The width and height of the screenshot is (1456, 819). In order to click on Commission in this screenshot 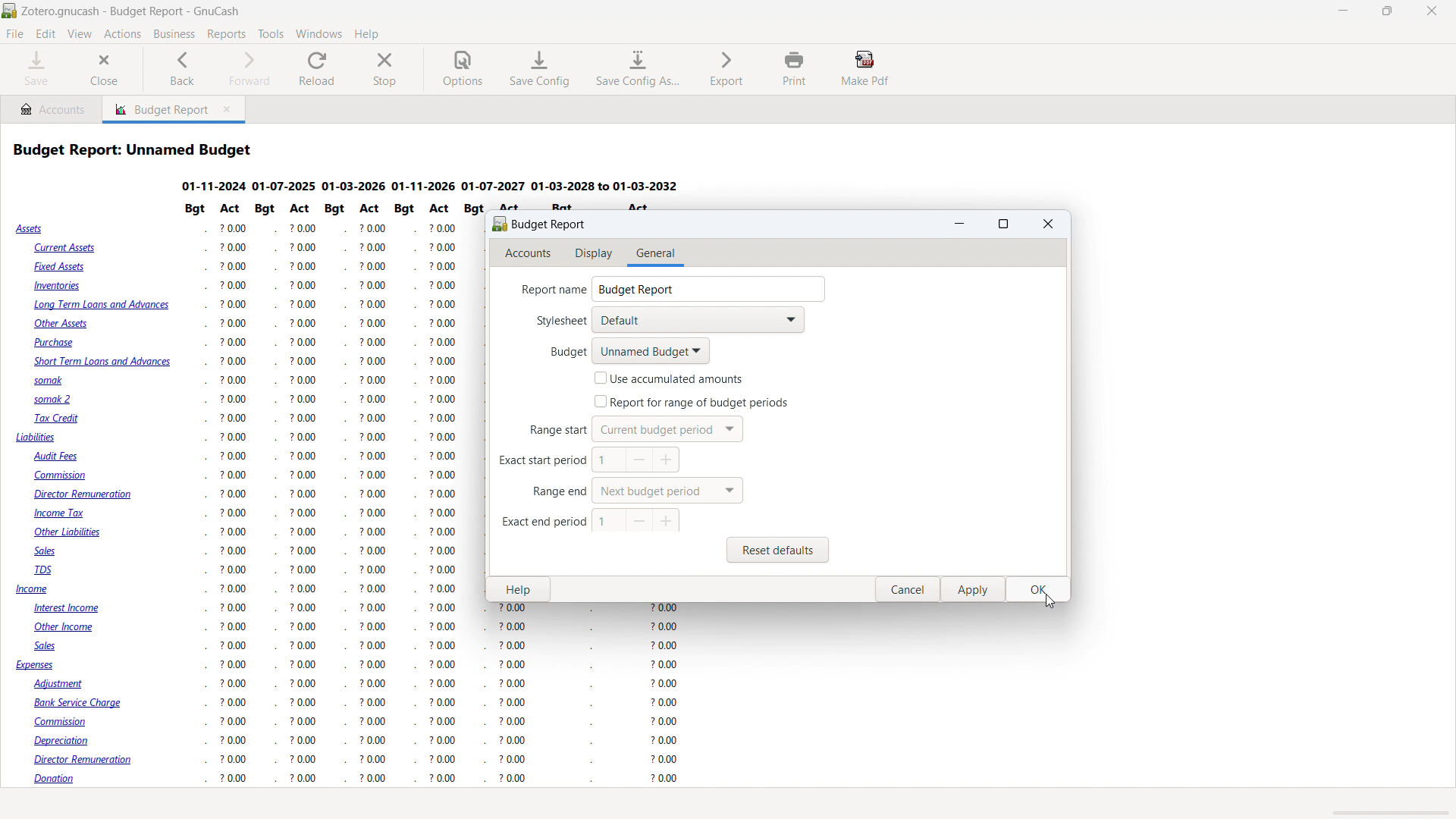, I will do `click(71, 723)`.